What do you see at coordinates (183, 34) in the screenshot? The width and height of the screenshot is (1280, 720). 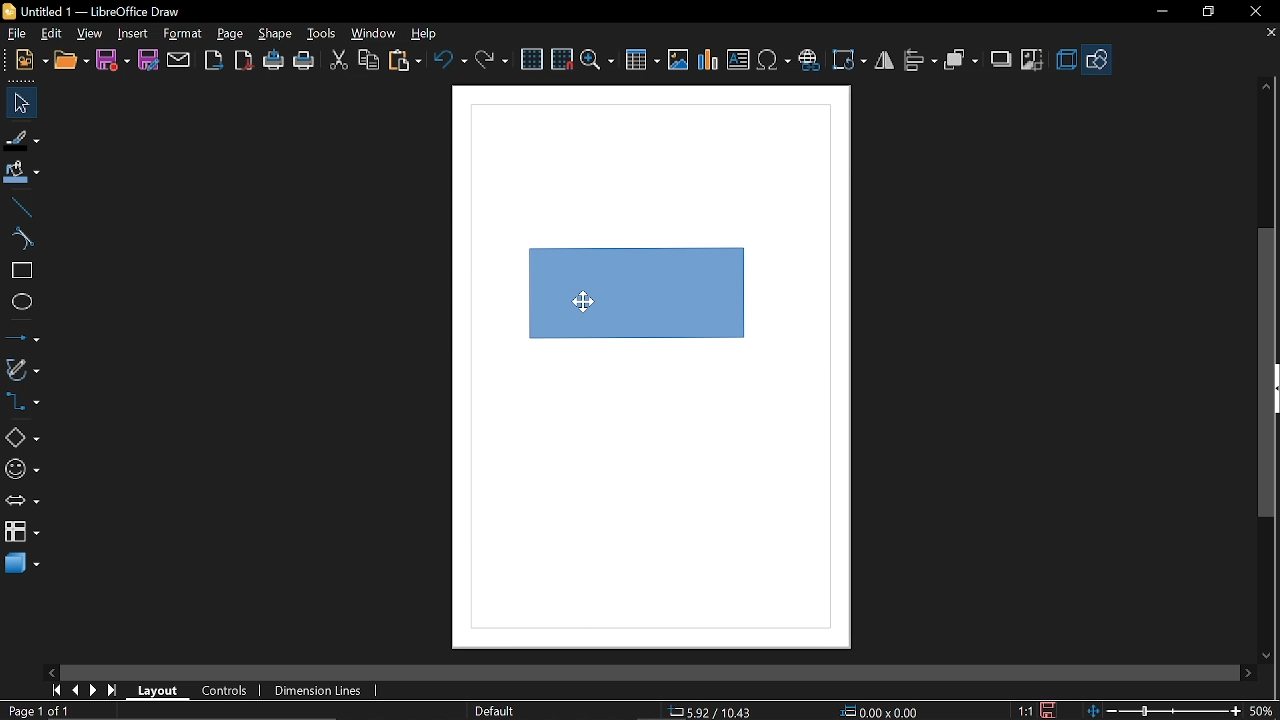 I see `Format` at bounding box center [183, 34].